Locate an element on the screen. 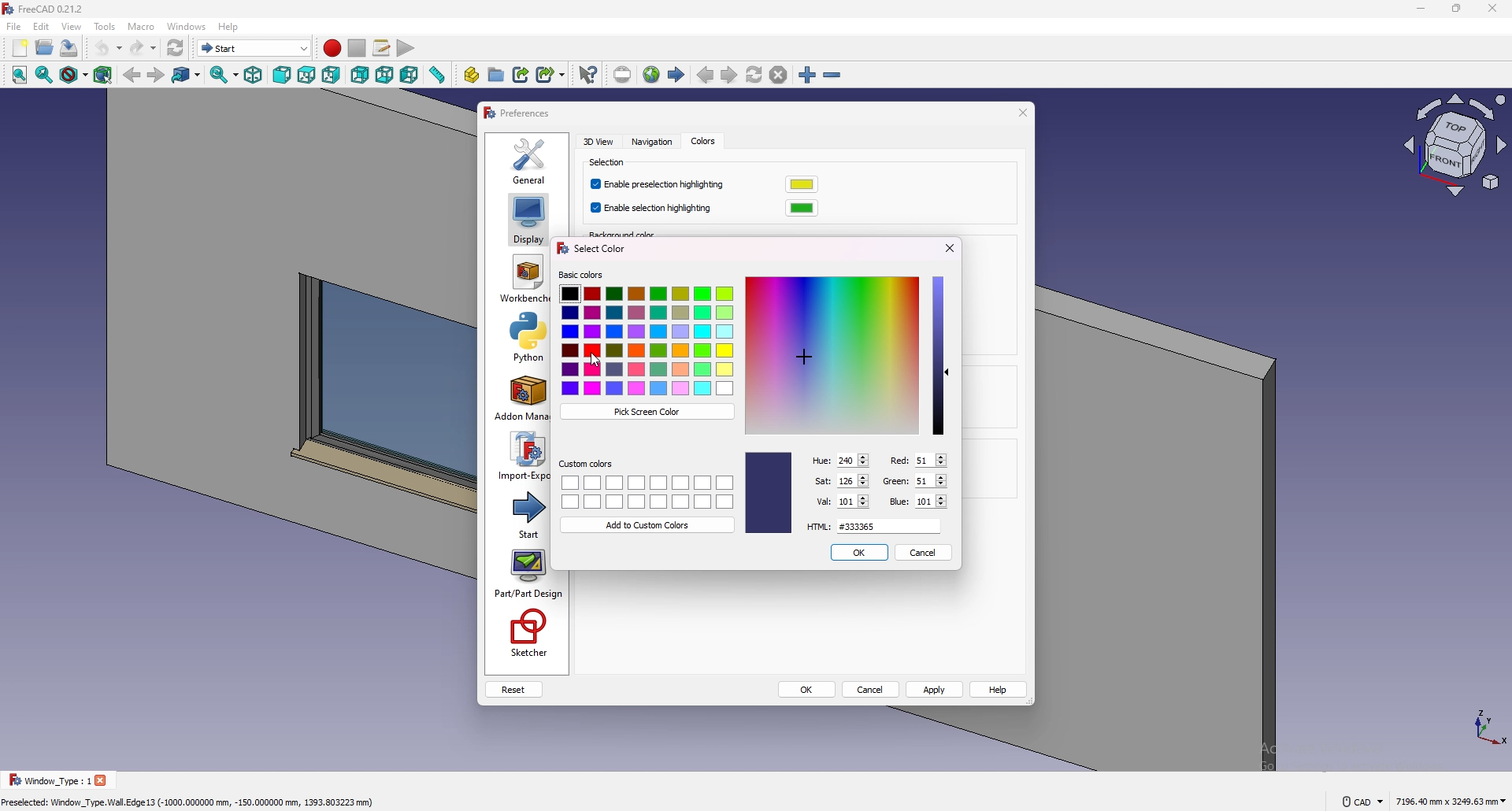 This screenshot has height=811, width=1512. exit is located at coordinates (1021, 113).